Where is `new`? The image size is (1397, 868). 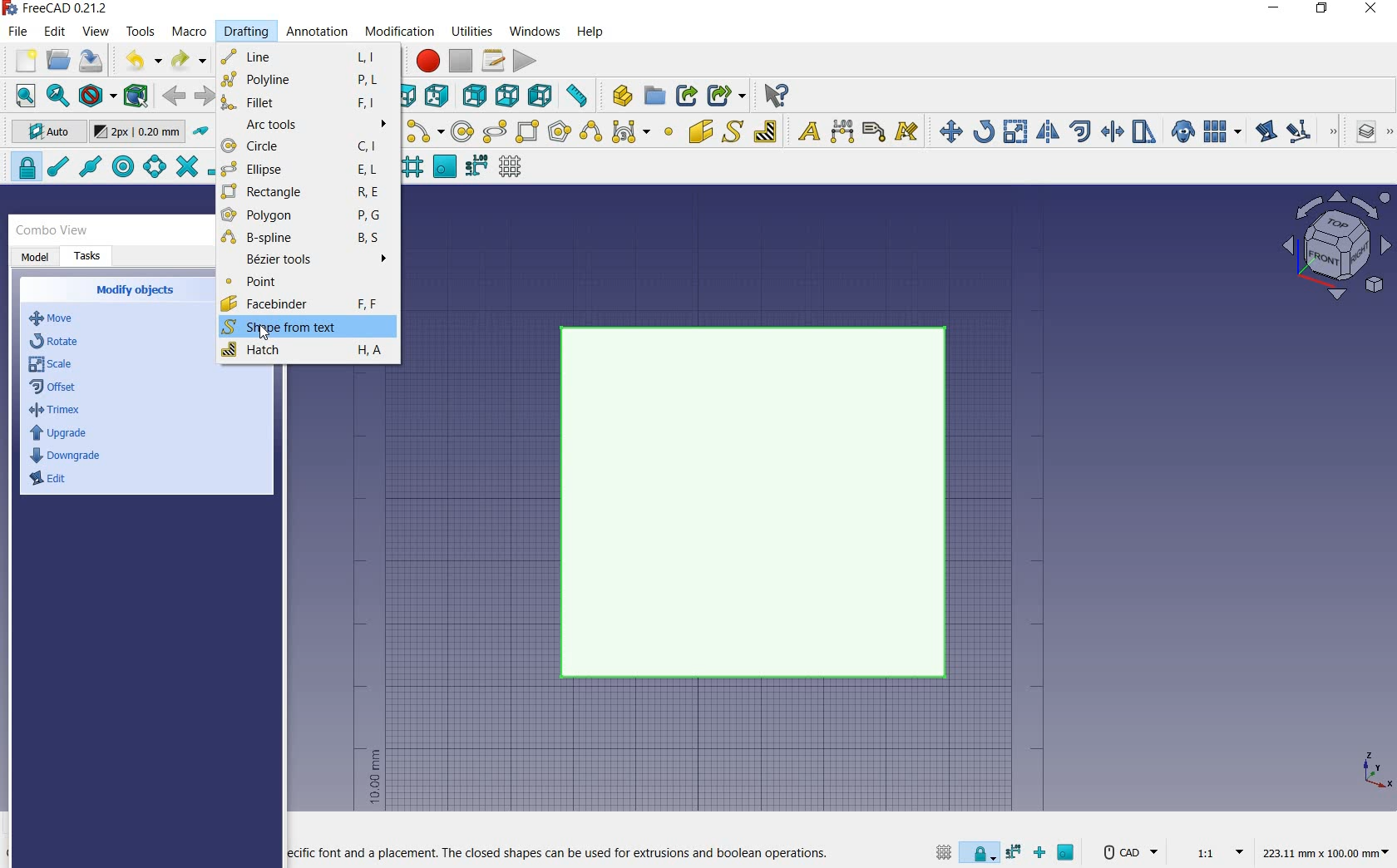 new is located at coordinates (19, 62).